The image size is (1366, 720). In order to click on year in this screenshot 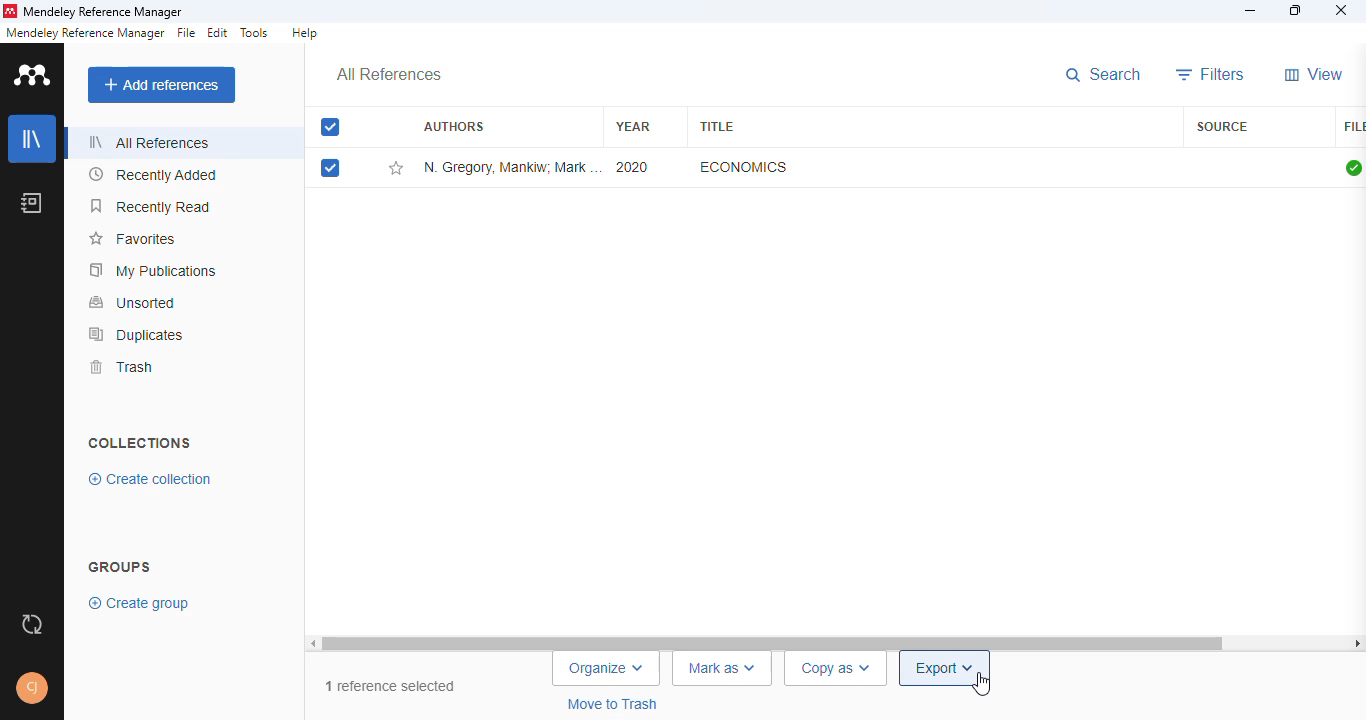, I will do `click(633, 127)`.